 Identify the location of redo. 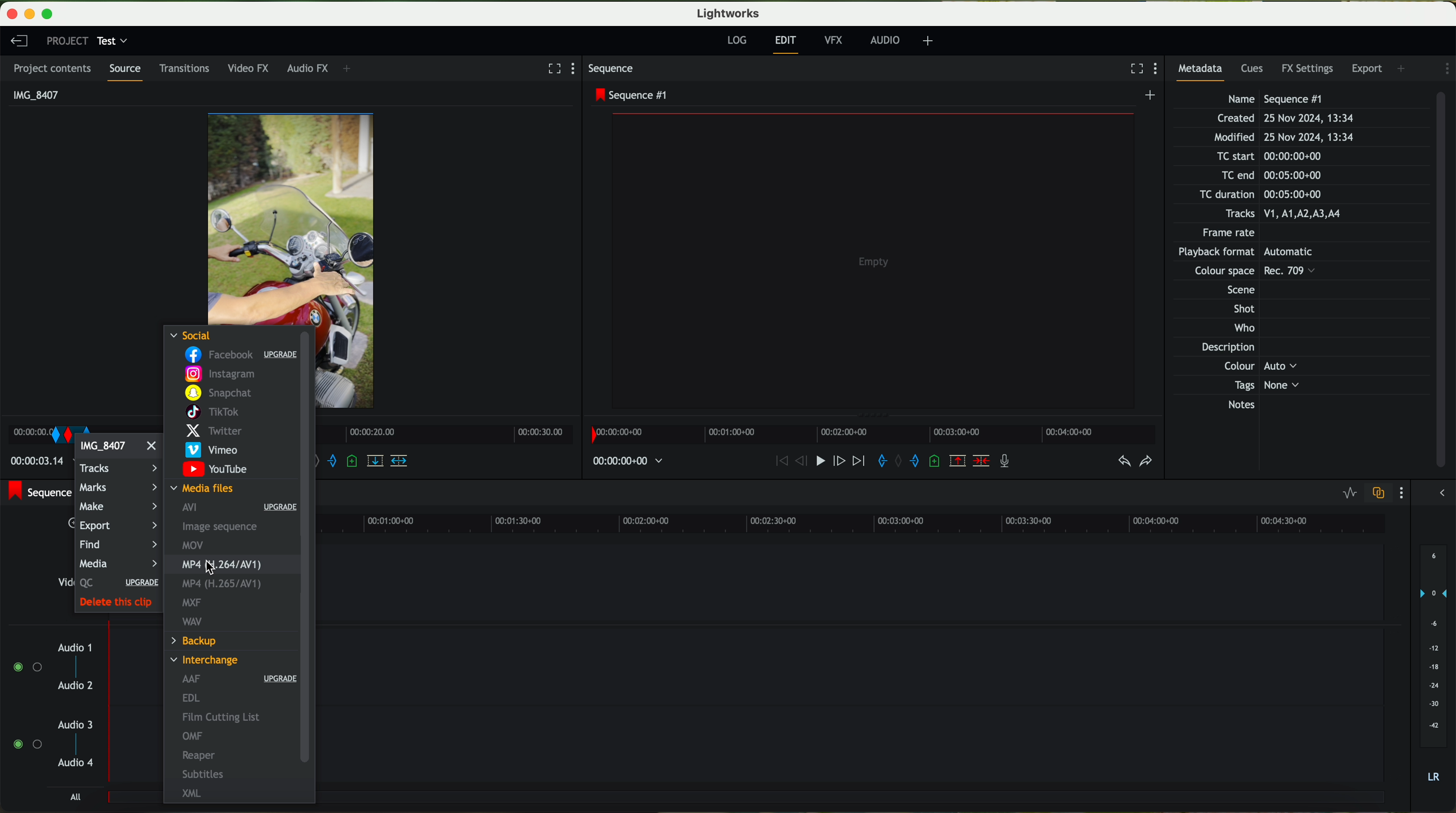
(1146, 462).